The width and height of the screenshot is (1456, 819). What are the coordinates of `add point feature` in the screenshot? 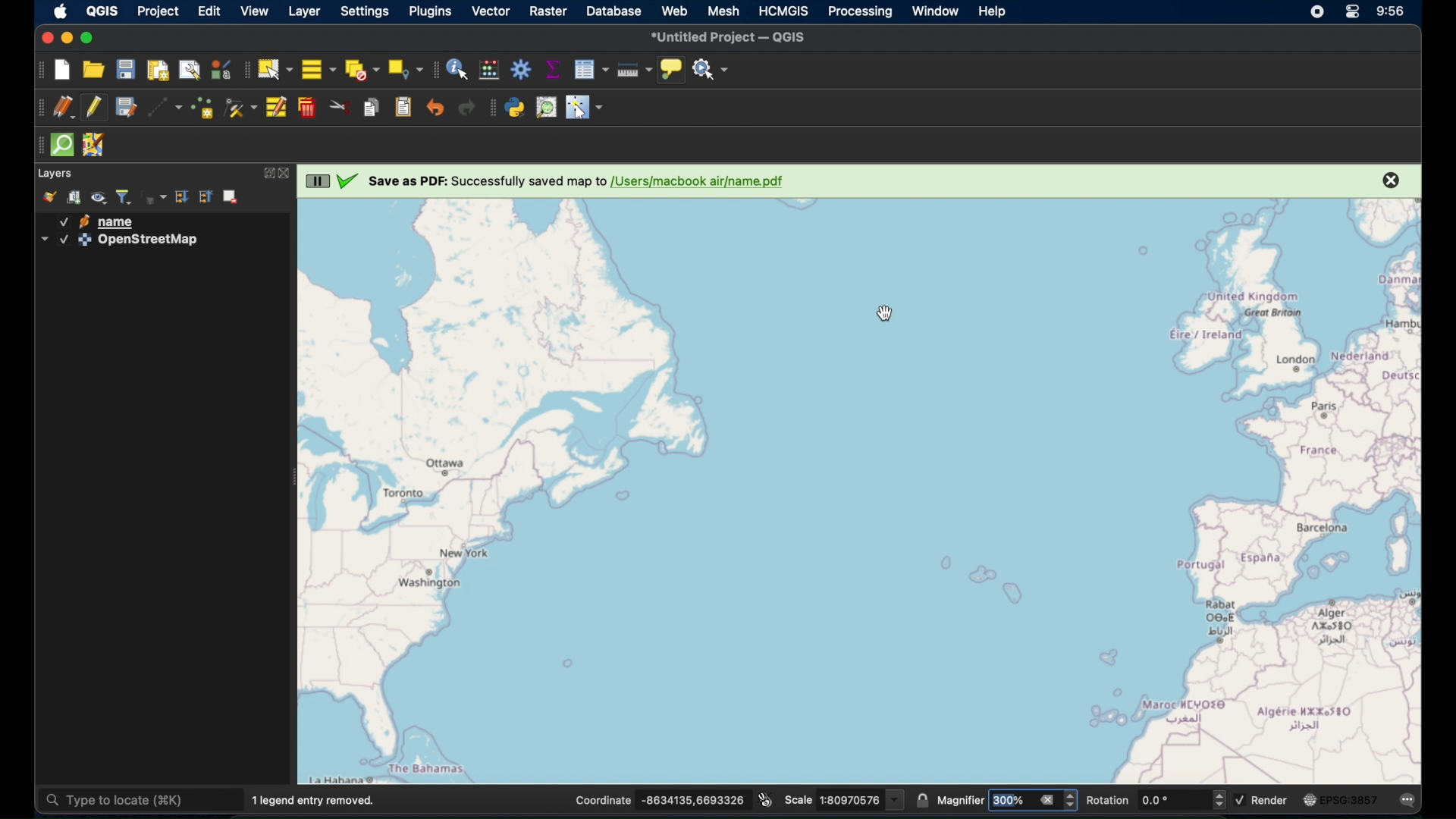 It's located at (202, 108).